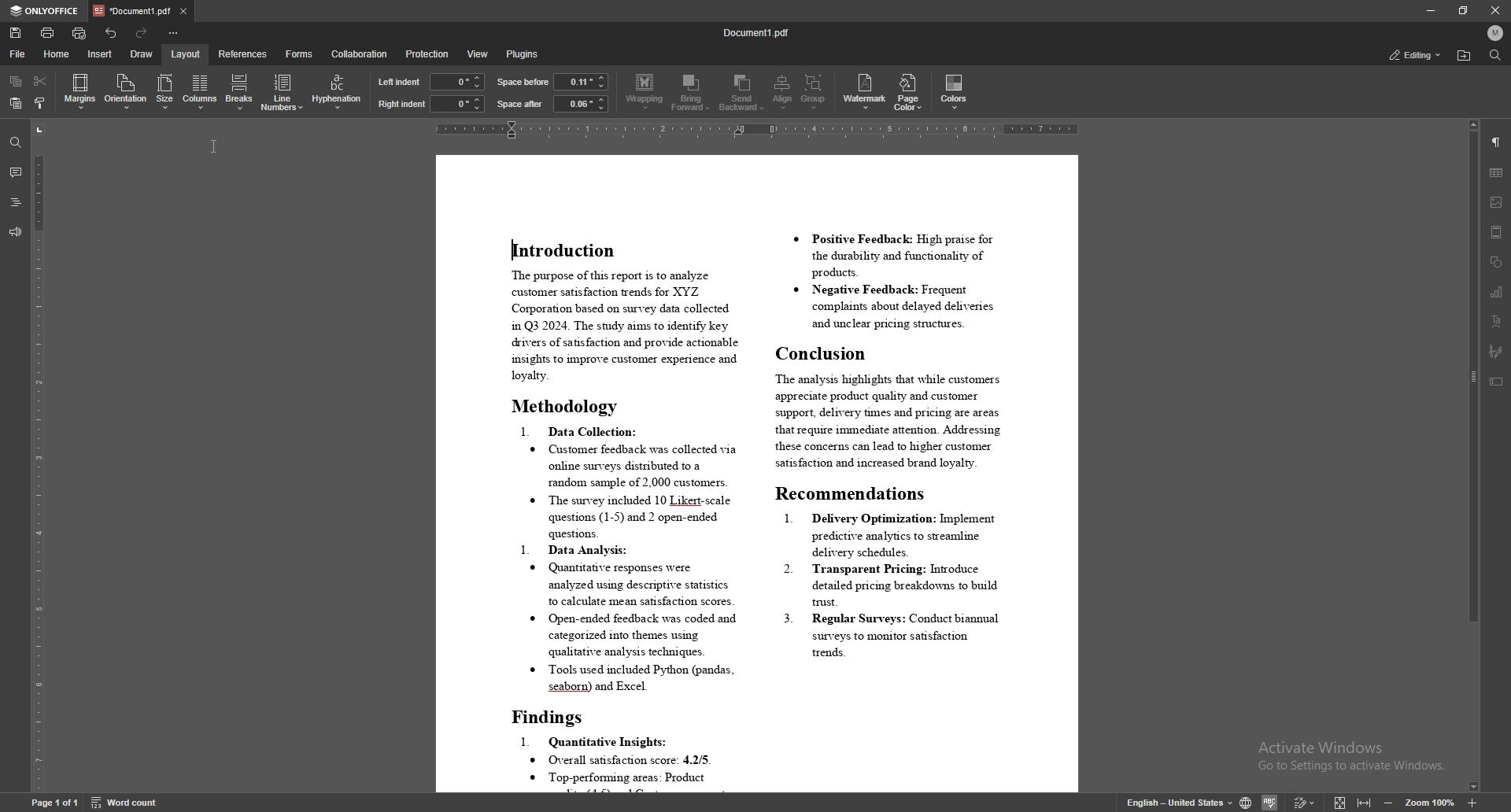  What do you see at coordinates (216, 148) in the screenshot?
I see `cursor` at bounding box center [216, 148].